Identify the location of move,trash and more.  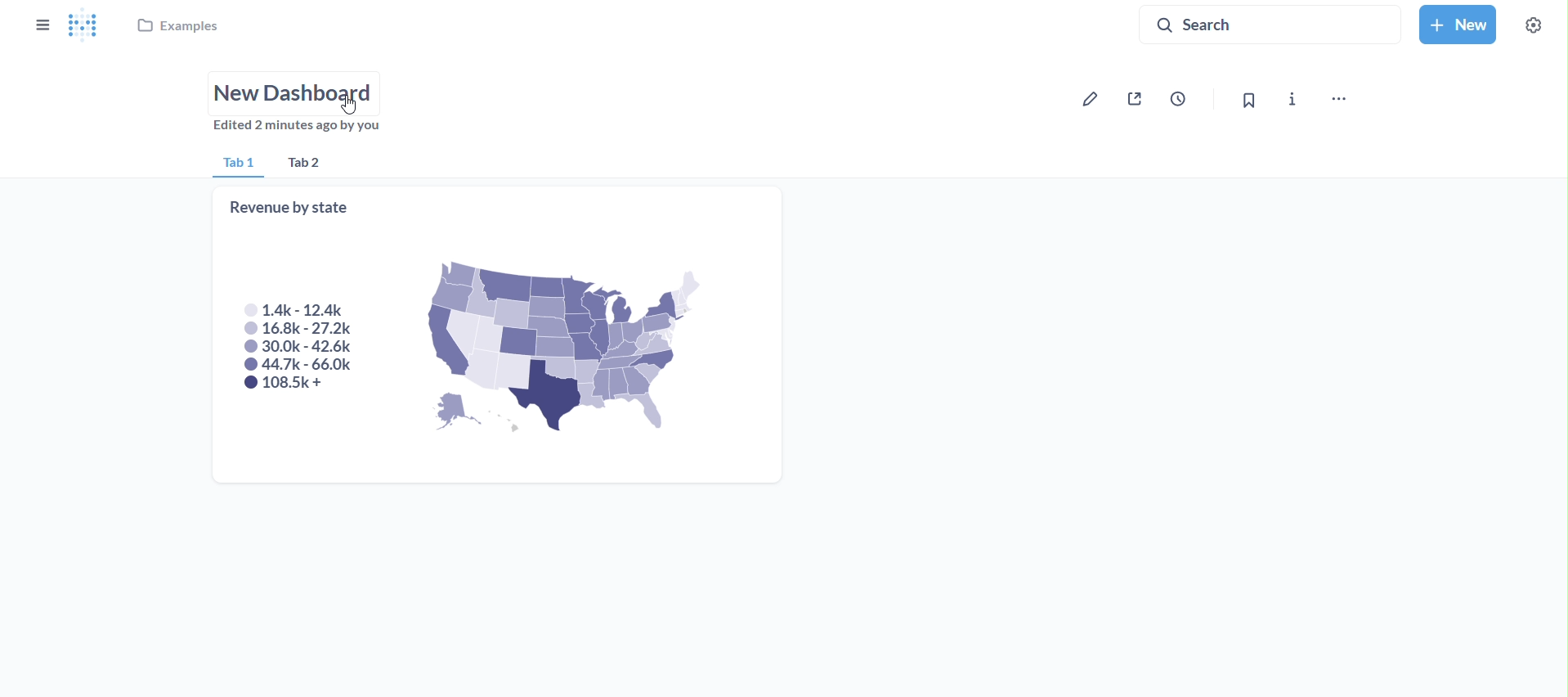
(1338, 101).